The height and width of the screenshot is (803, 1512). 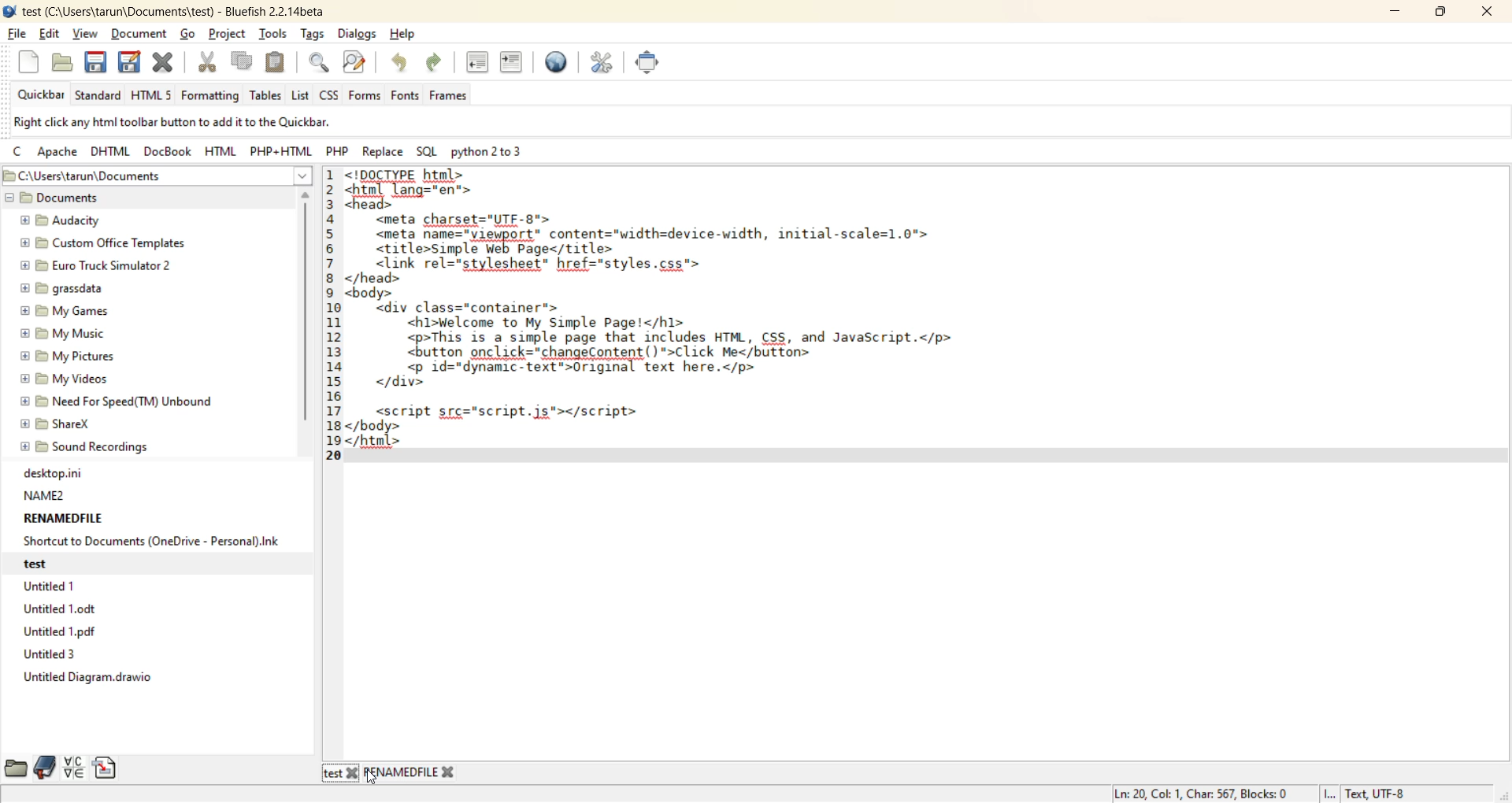 What do you see at coordinates (424, 151) in the screenshot?
I see `sql` at bounding box center [424, 151].